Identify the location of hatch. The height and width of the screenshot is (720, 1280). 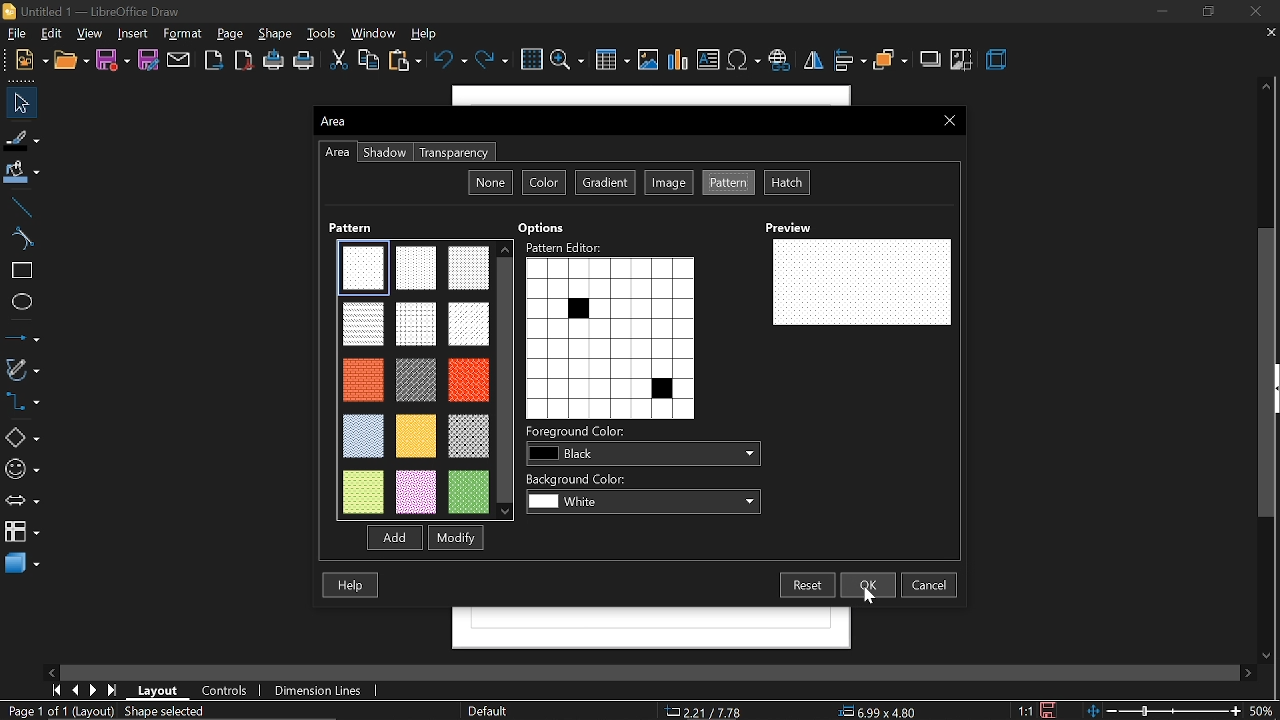
(790, 183).